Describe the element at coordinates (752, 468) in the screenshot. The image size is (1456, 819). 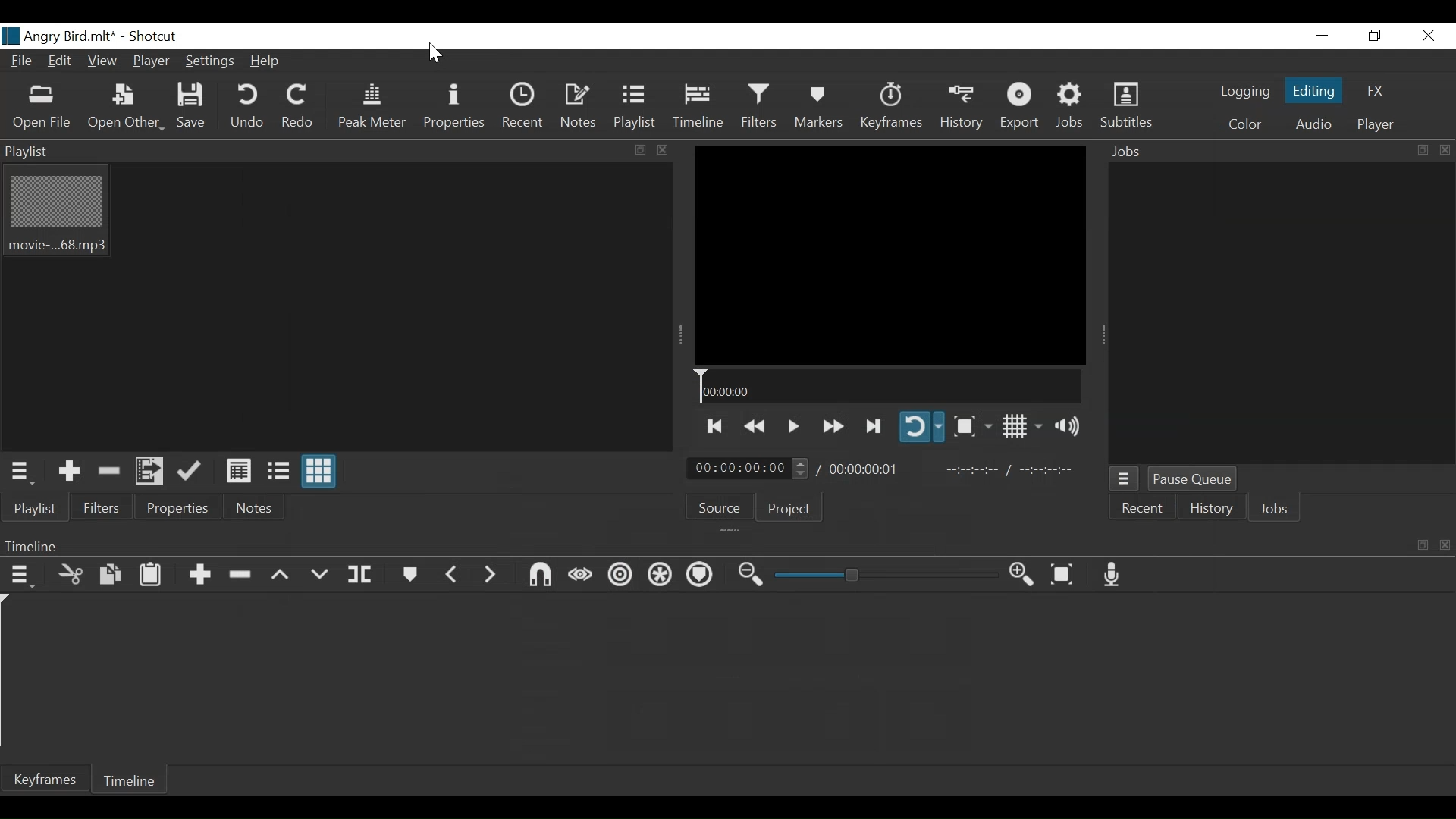
I see `Current Duration` at that location.